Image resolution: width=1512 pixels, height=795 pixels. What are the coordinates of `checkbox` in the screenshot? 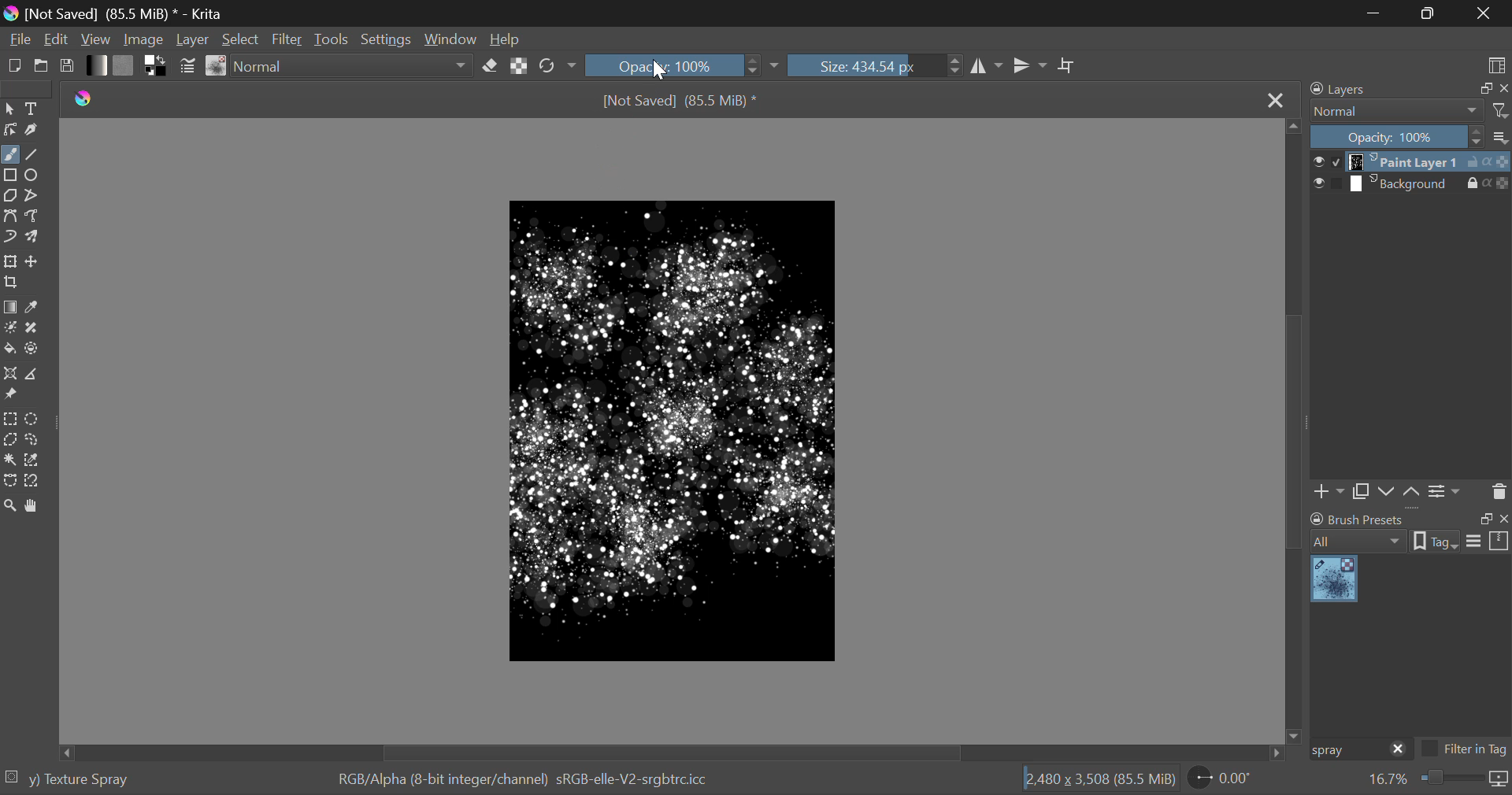 It's located at (1327, 184).